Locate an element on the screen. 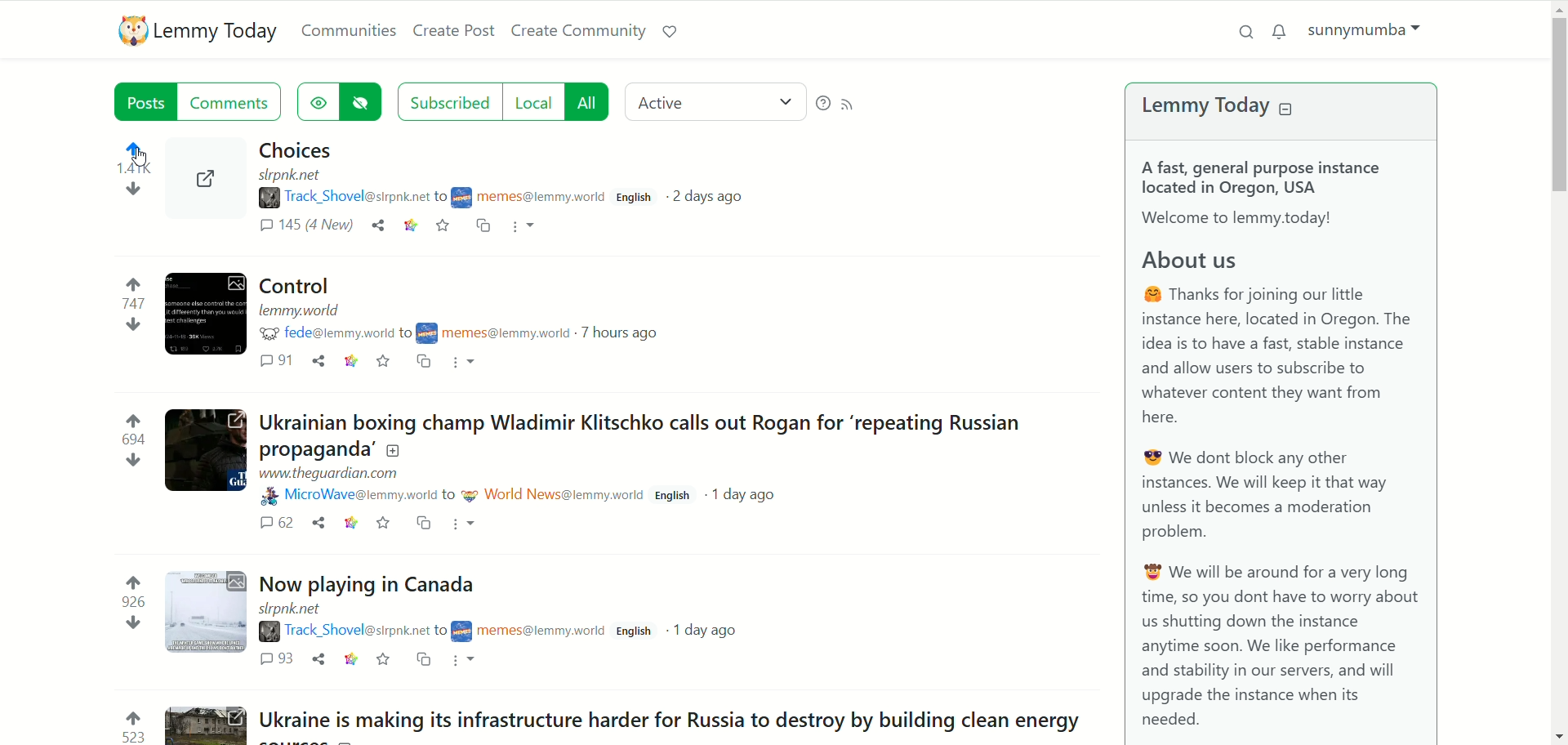  search is located at coordinates (1245, 30).